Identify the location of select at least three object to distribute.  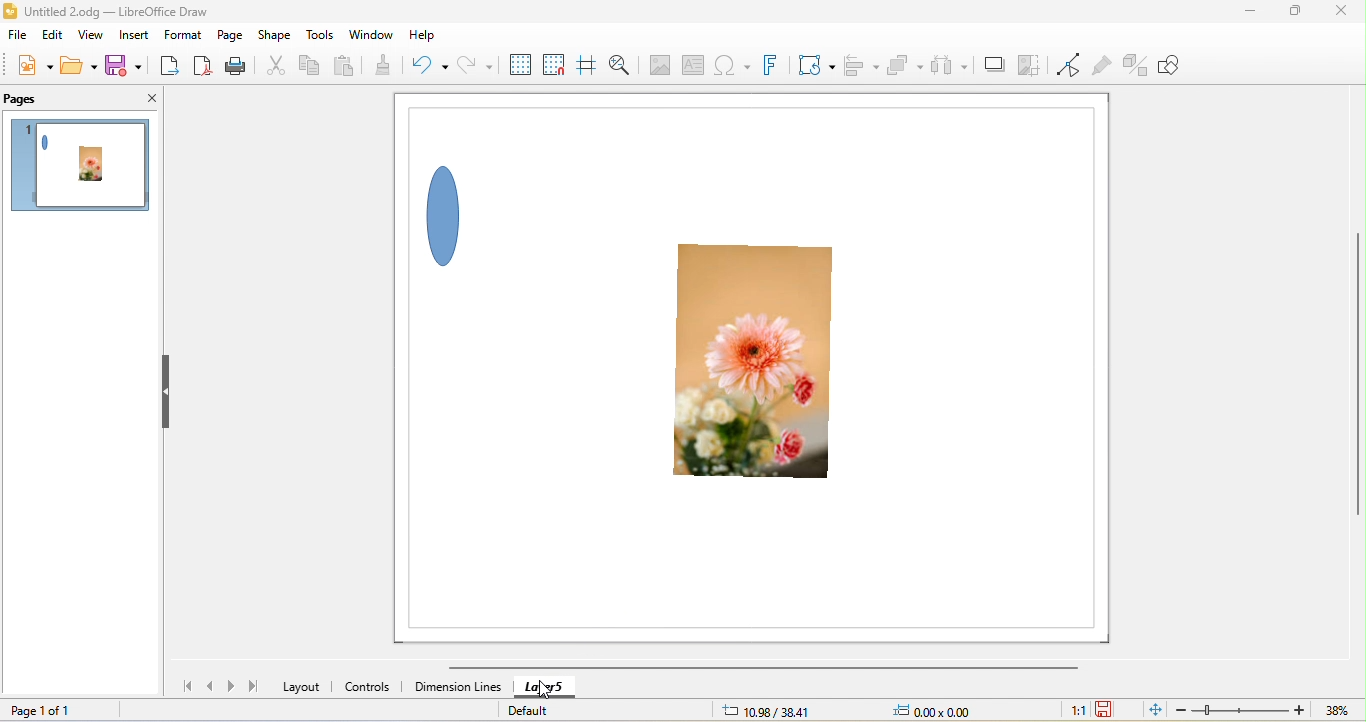
(950, 64).